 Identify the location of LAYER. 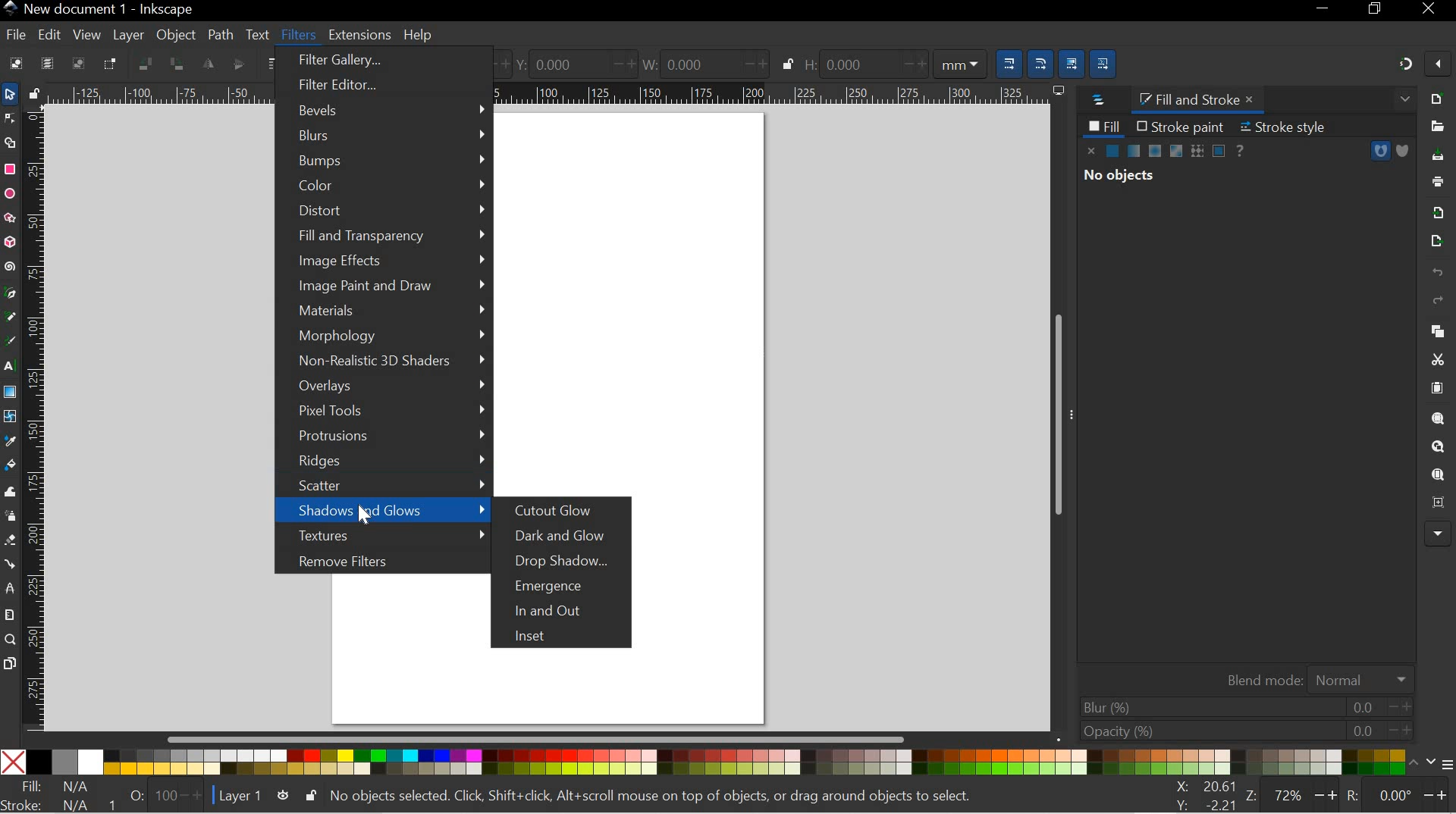
(129, 35).